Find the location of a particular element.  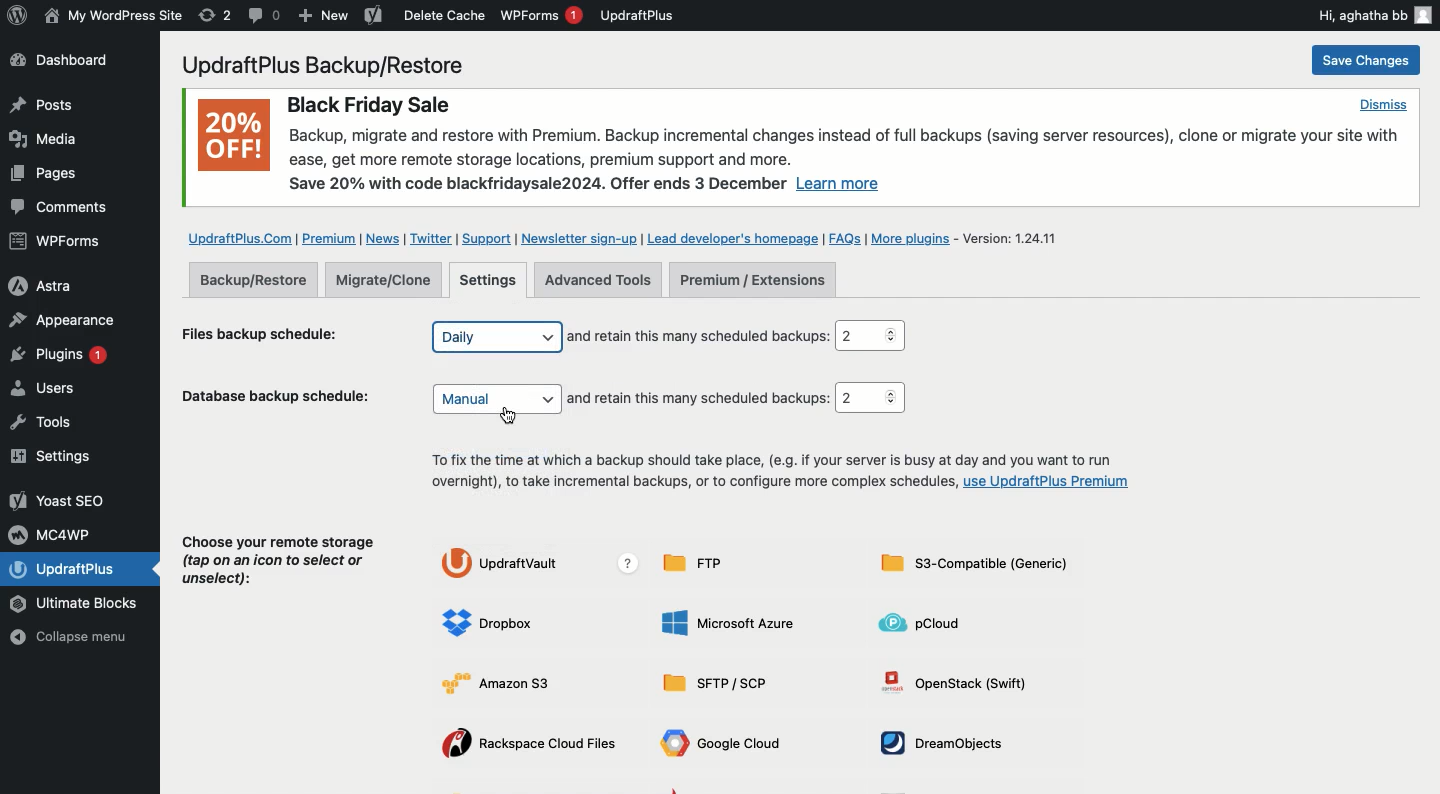

Daily is located at coordinates (495, 336).